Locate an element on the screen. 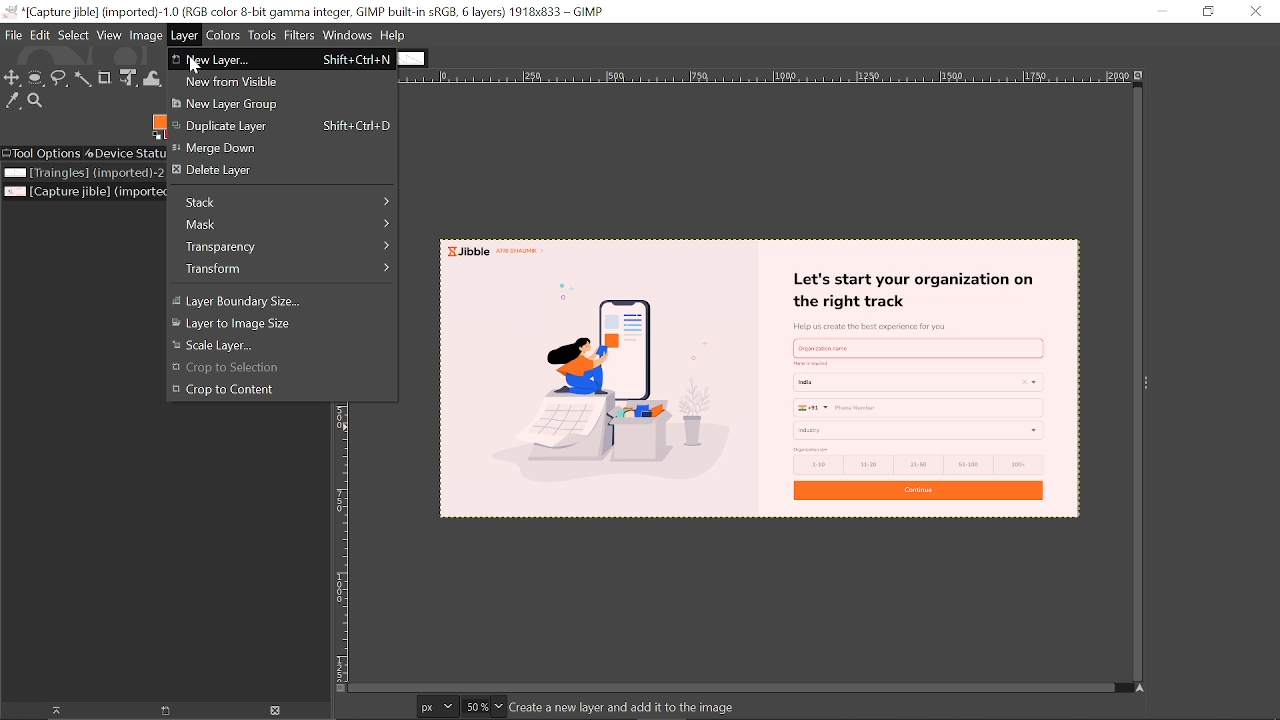 Image resolution: width=1280 pixels, height=720 pixels. Color picker tool is located at coordinates (11, 101).